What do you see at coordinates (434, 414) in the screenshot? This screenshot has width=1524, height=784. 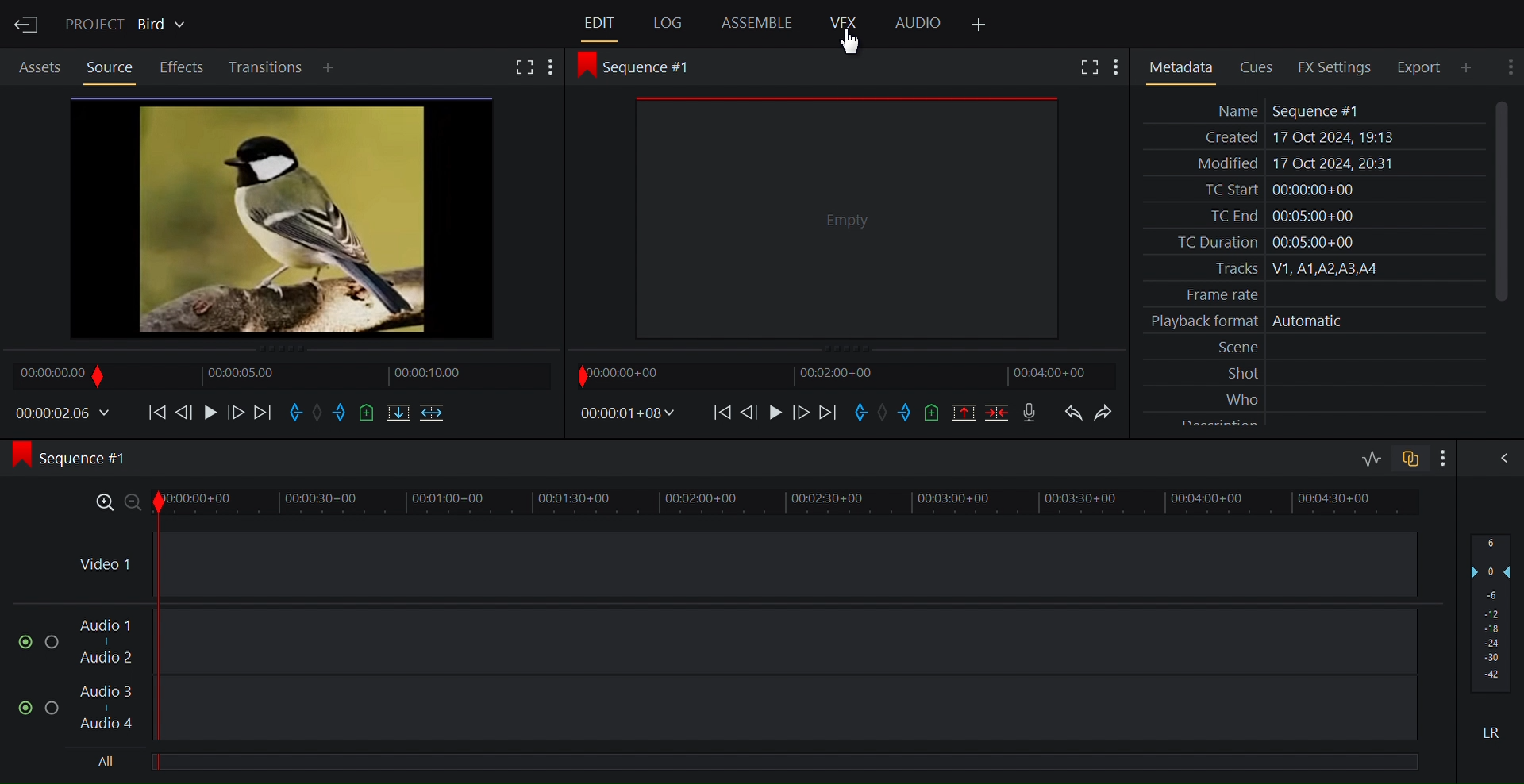 I see `Insert into the target sequence` at bounding box center [434, 414].